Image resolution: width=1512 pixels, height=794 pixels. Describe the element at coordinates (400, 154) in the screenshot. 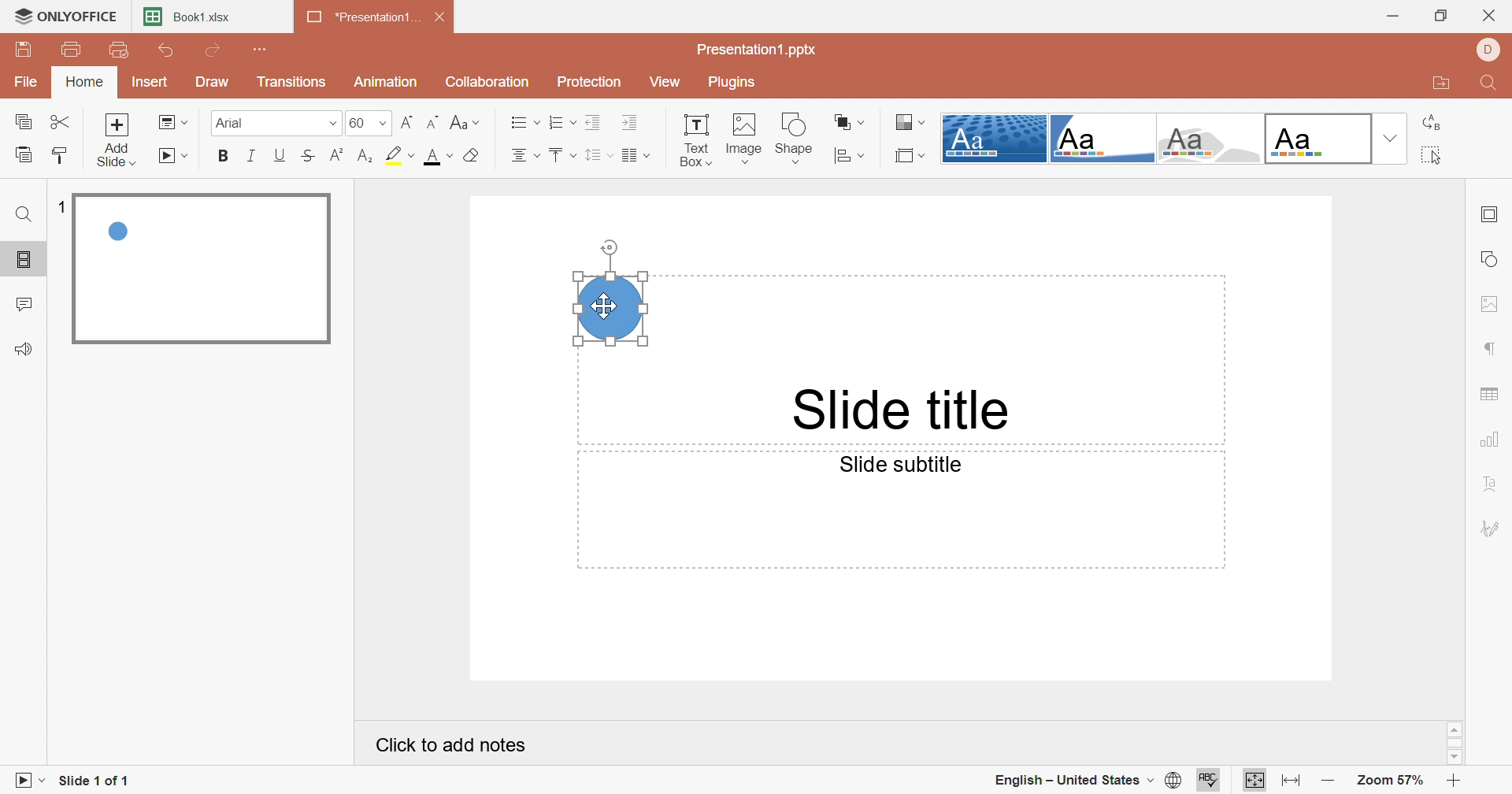

I see `Highlight color` at that location.